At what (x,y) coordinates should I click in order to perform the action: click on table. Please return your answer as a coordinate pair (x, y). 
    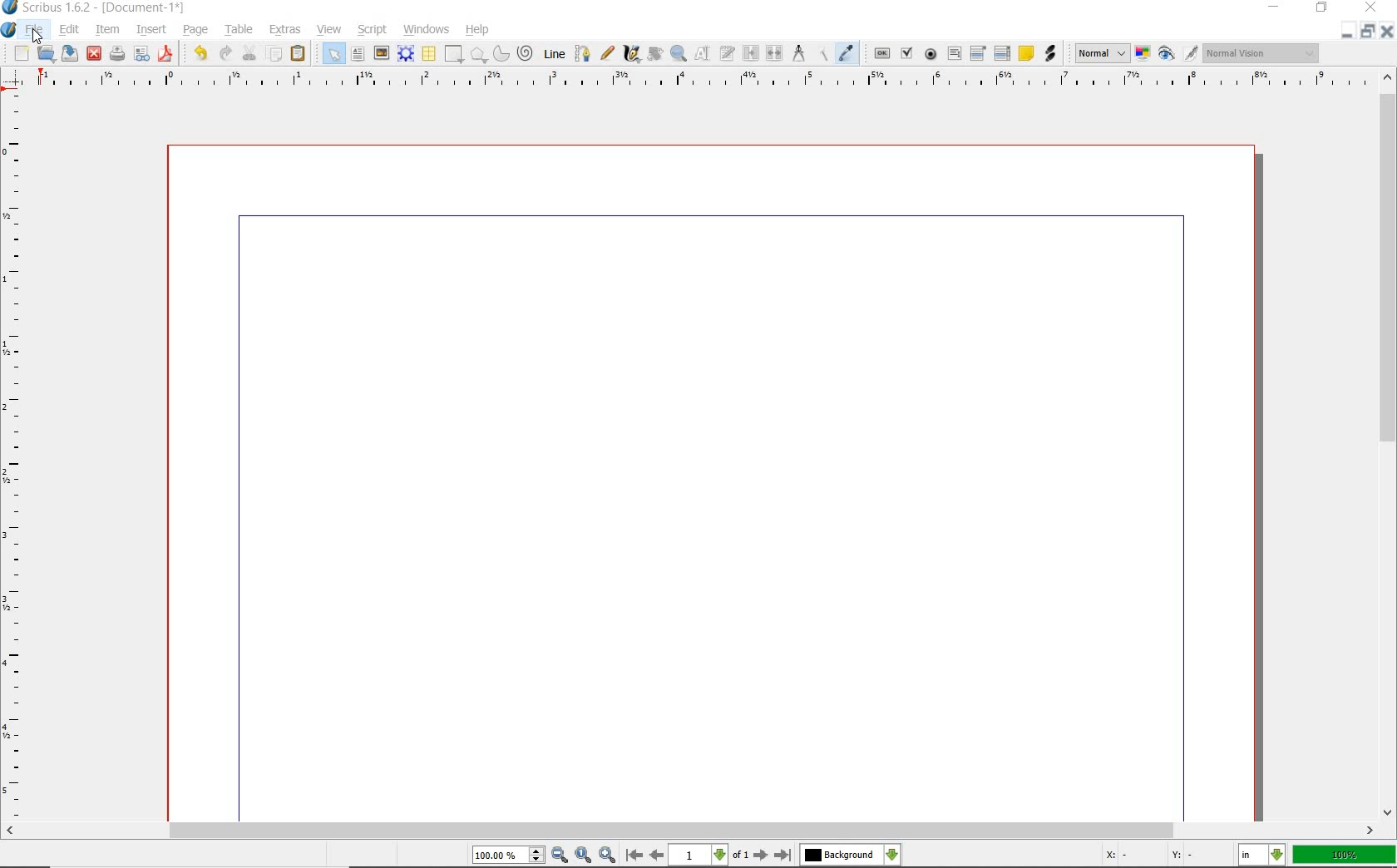
    Looking at the image, I should click on (241, 28).